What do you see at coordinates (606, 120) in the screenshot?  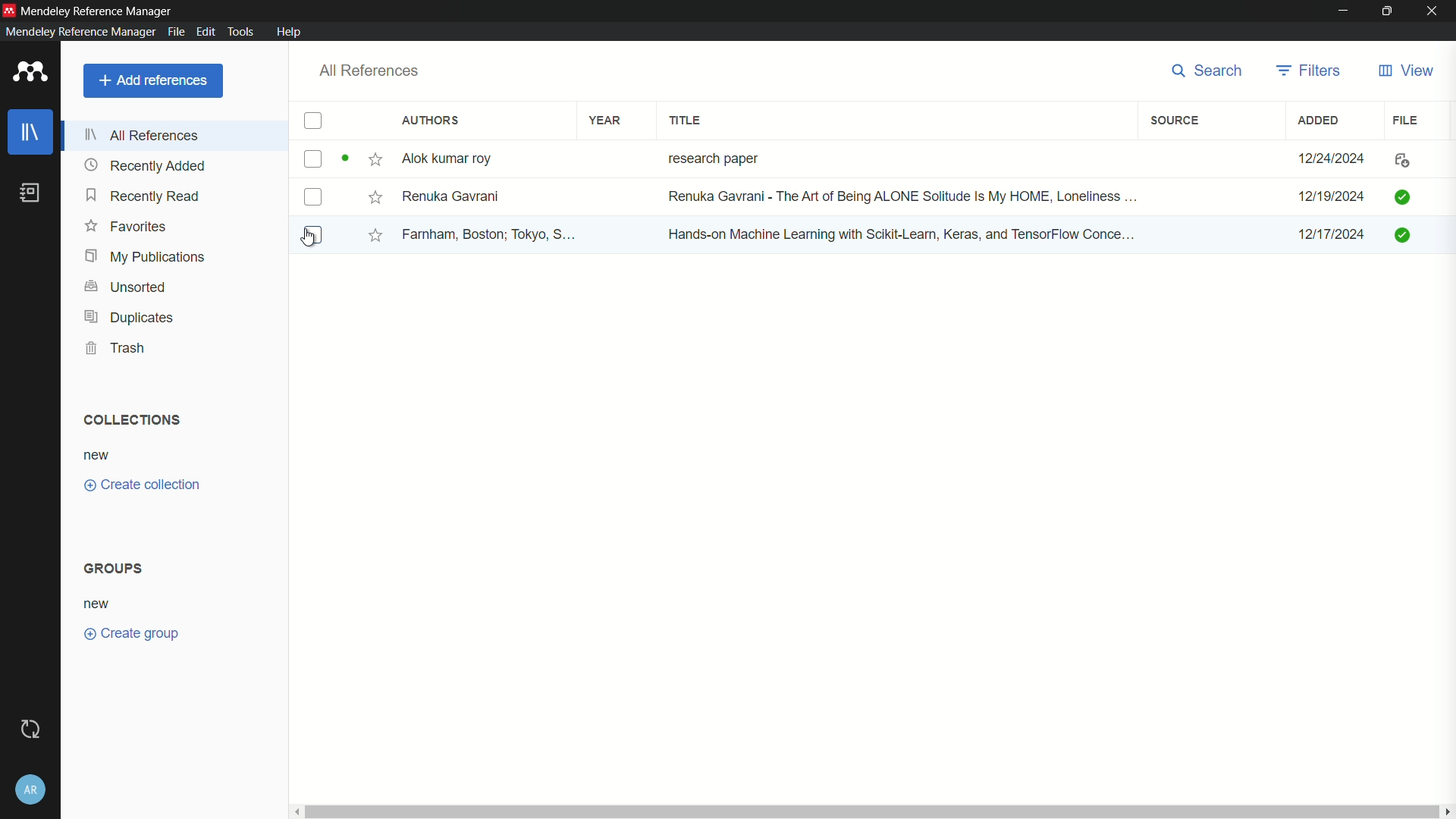 I see `year` at bounding box center [606, 120].